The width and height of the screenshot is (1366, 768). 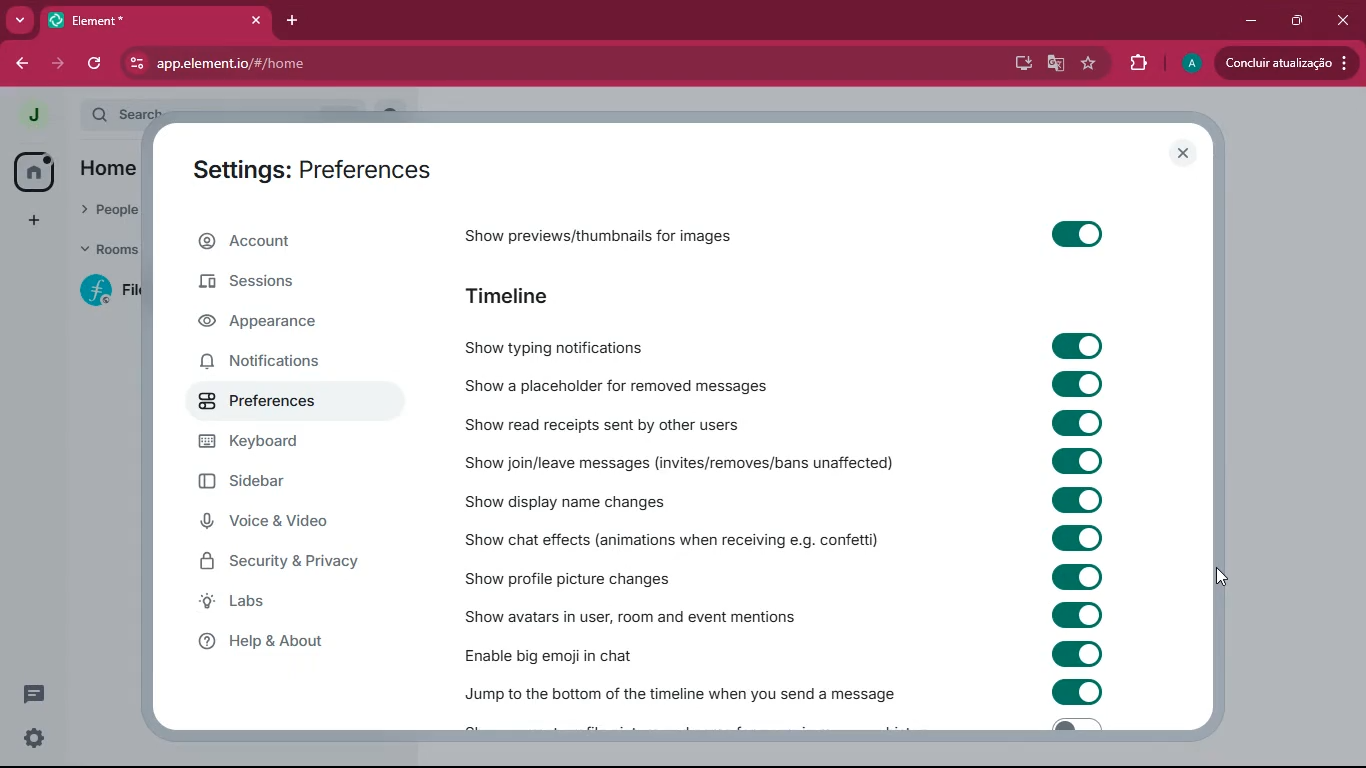 I want to click on enable big emoji in chat, so click(x=582, y=651).